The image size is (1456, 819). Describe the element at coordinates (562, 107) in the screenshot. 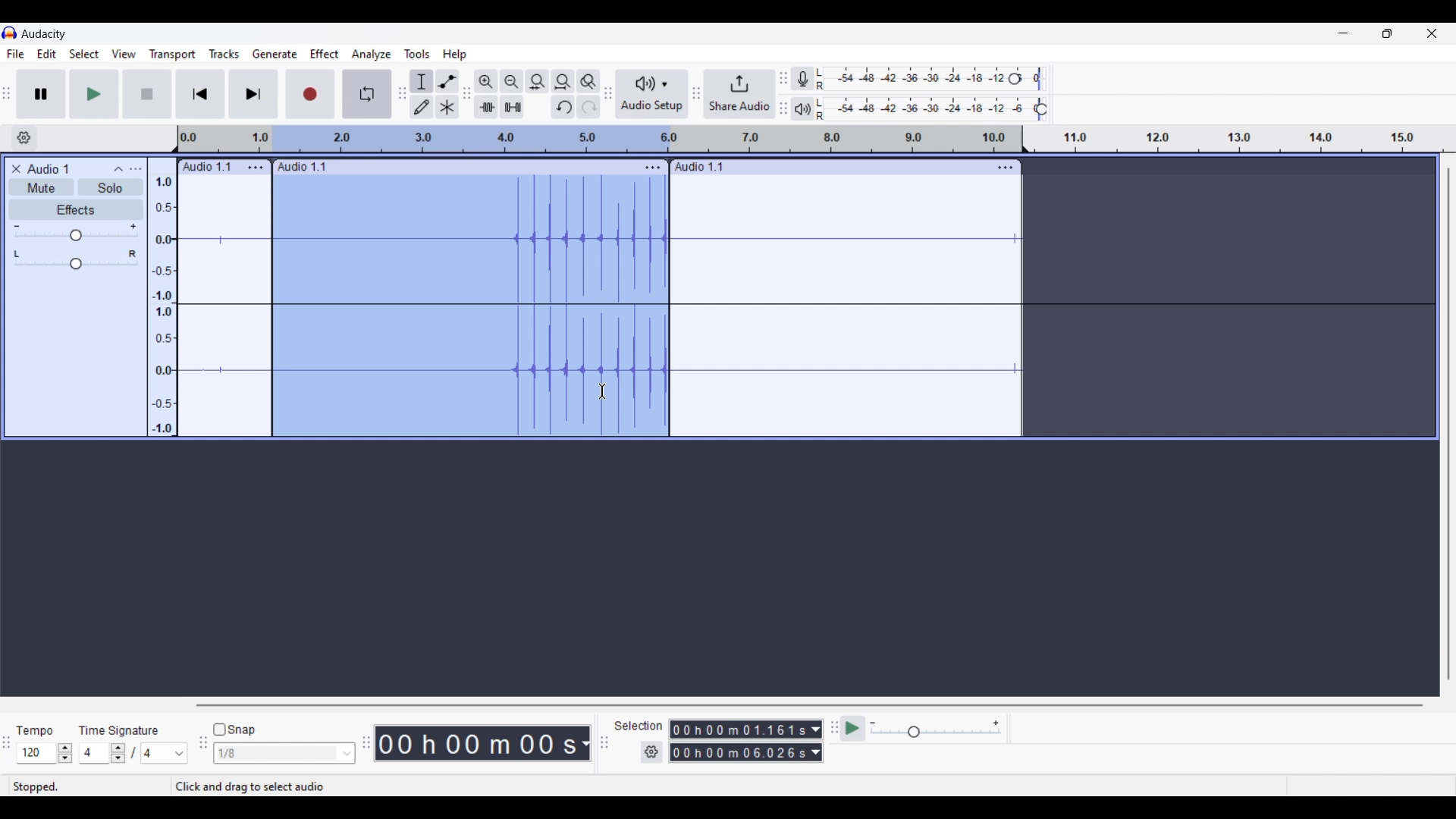

I see `Undo` at that location.